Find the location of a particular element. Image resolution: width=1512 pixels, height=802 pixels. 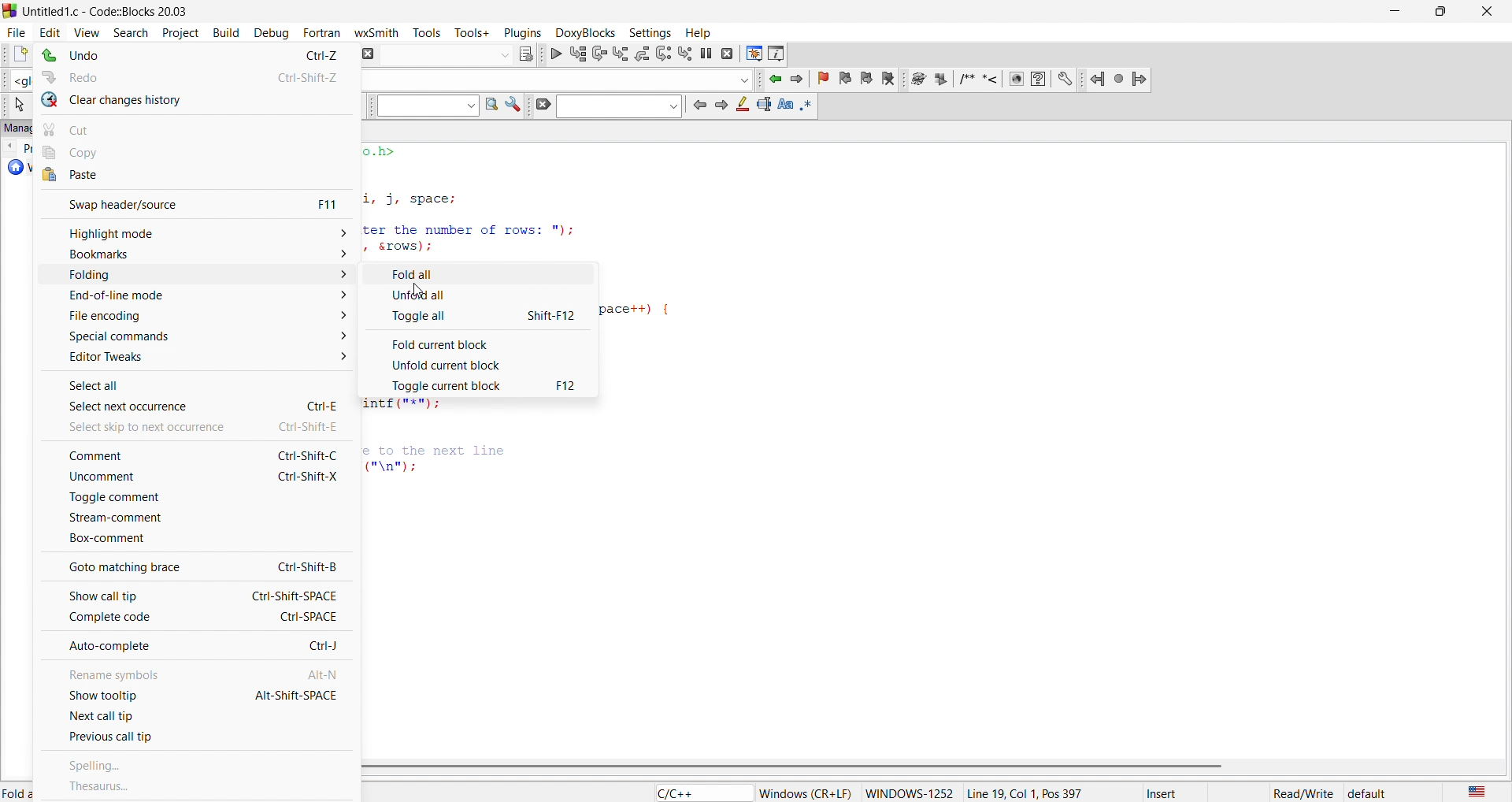

close is located at coordinates (1485, 12).